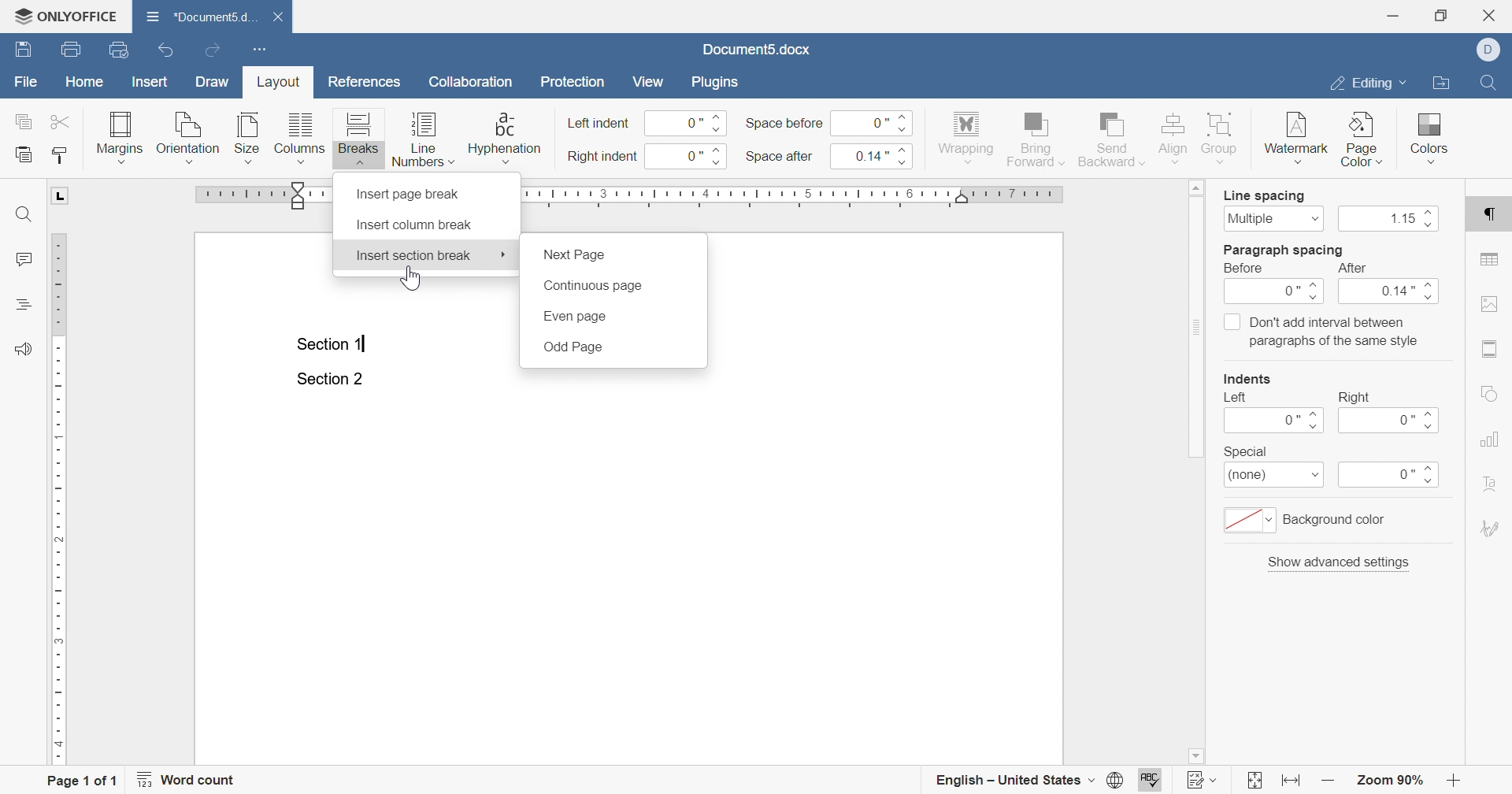 Image resolution: width=1512 pixels, height=794 pixels. Describe the element at coordinates (1329, 781) in the screenshot. I see `zoom in` at that location.